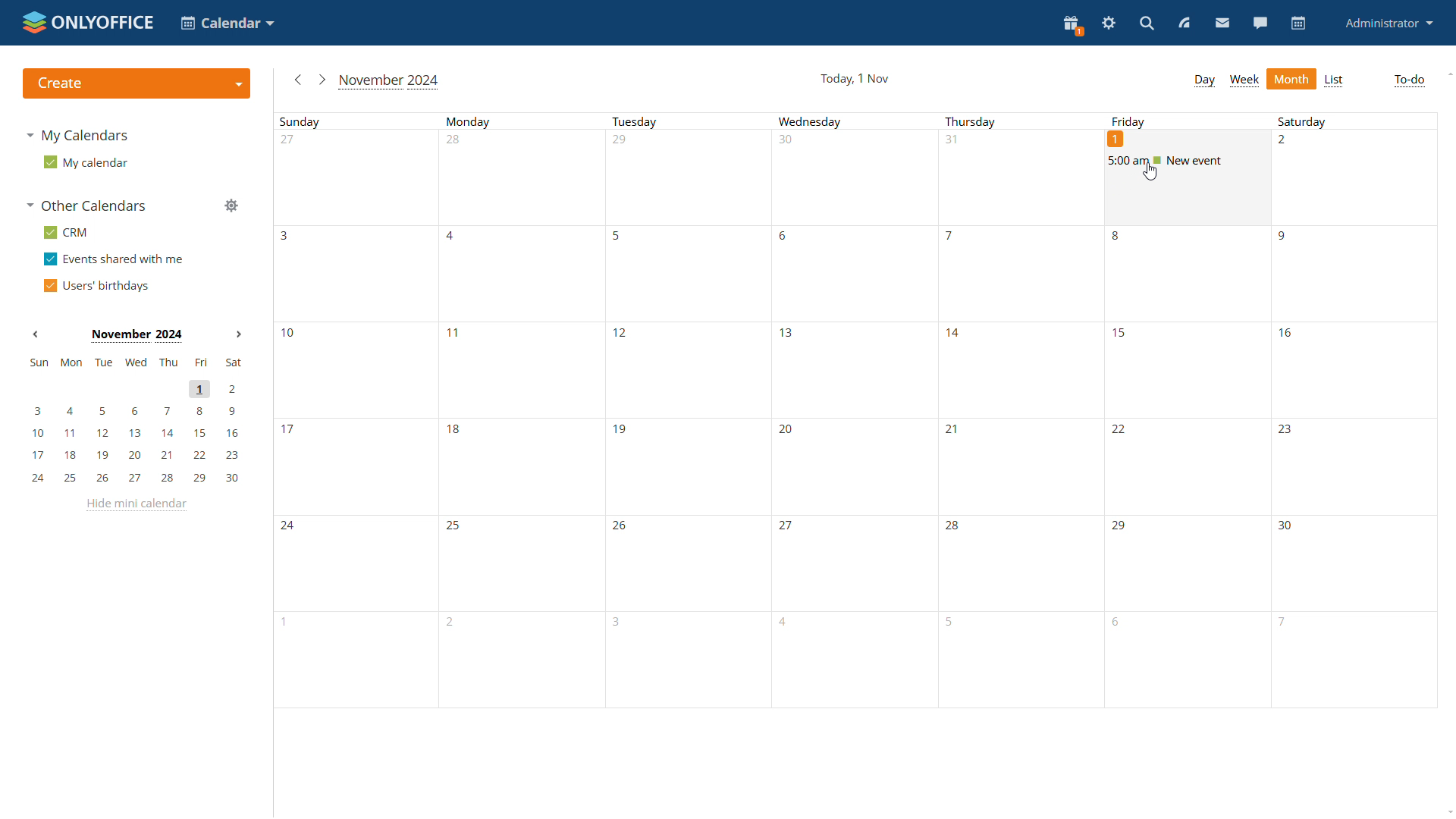 This screenshot has width=1456, height=819. Describe the element at coordinates (86, 206) in the screenshot. I see `other calendars` at that location.